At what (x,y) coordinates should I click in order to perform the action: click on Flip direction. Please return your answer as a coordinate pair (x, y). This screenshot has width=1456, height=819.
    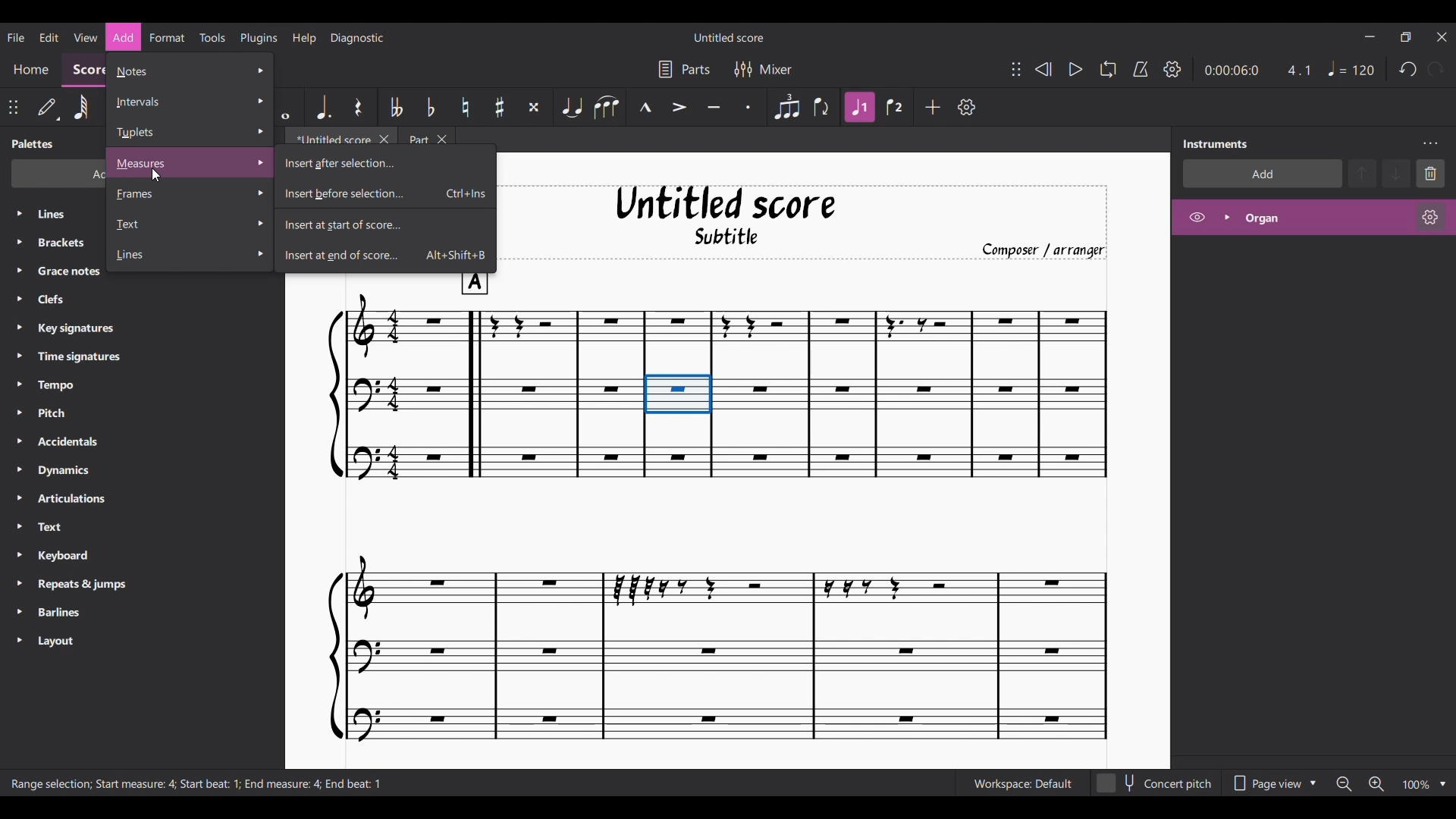
    Looking at the image, I should click on (822, 108).